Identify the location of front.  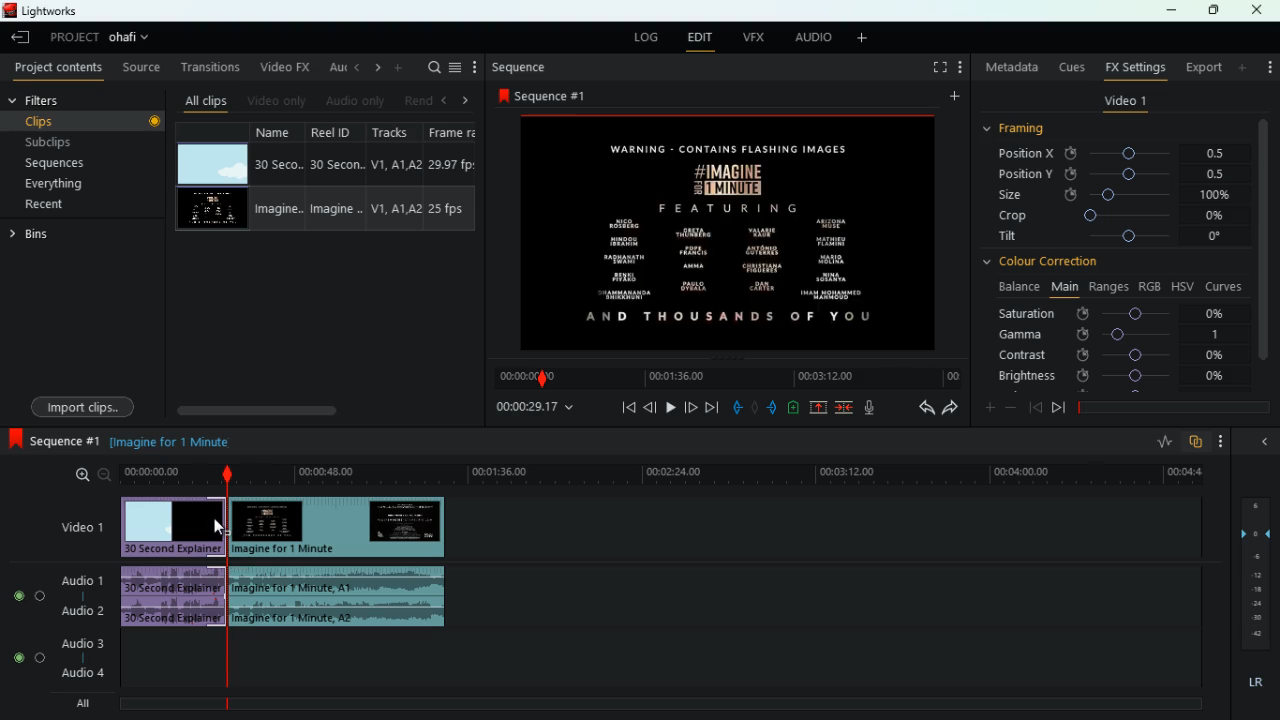
(1059, 407).